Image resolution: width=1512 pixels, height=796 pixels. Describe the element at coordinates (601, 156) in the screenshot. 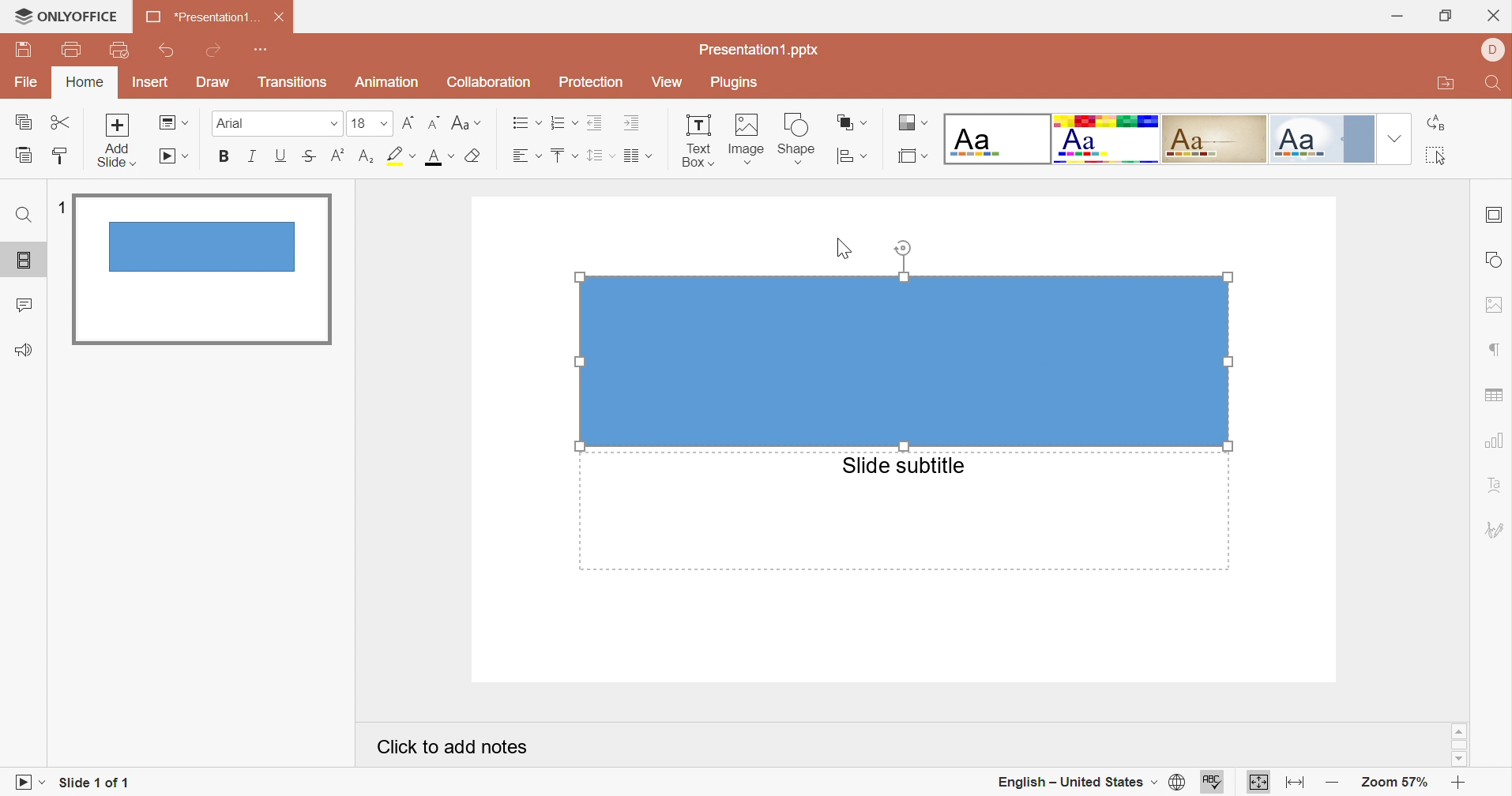

I see `Line spacing` at that location.